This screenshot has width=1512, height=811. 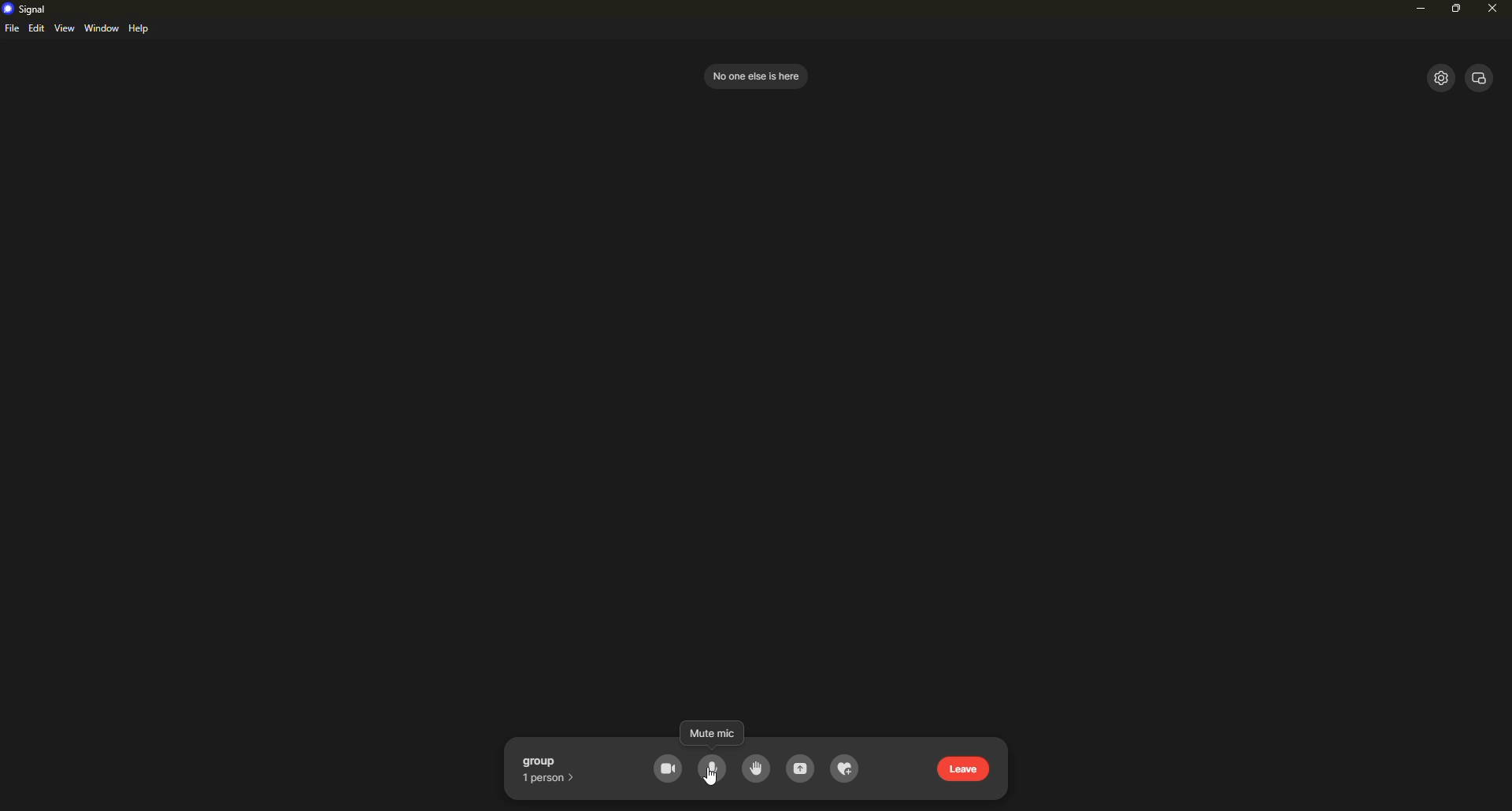 What do you see at coordinates (713, 780) in the screenshot?
I see `cursor` at bounding box center [713, 780].